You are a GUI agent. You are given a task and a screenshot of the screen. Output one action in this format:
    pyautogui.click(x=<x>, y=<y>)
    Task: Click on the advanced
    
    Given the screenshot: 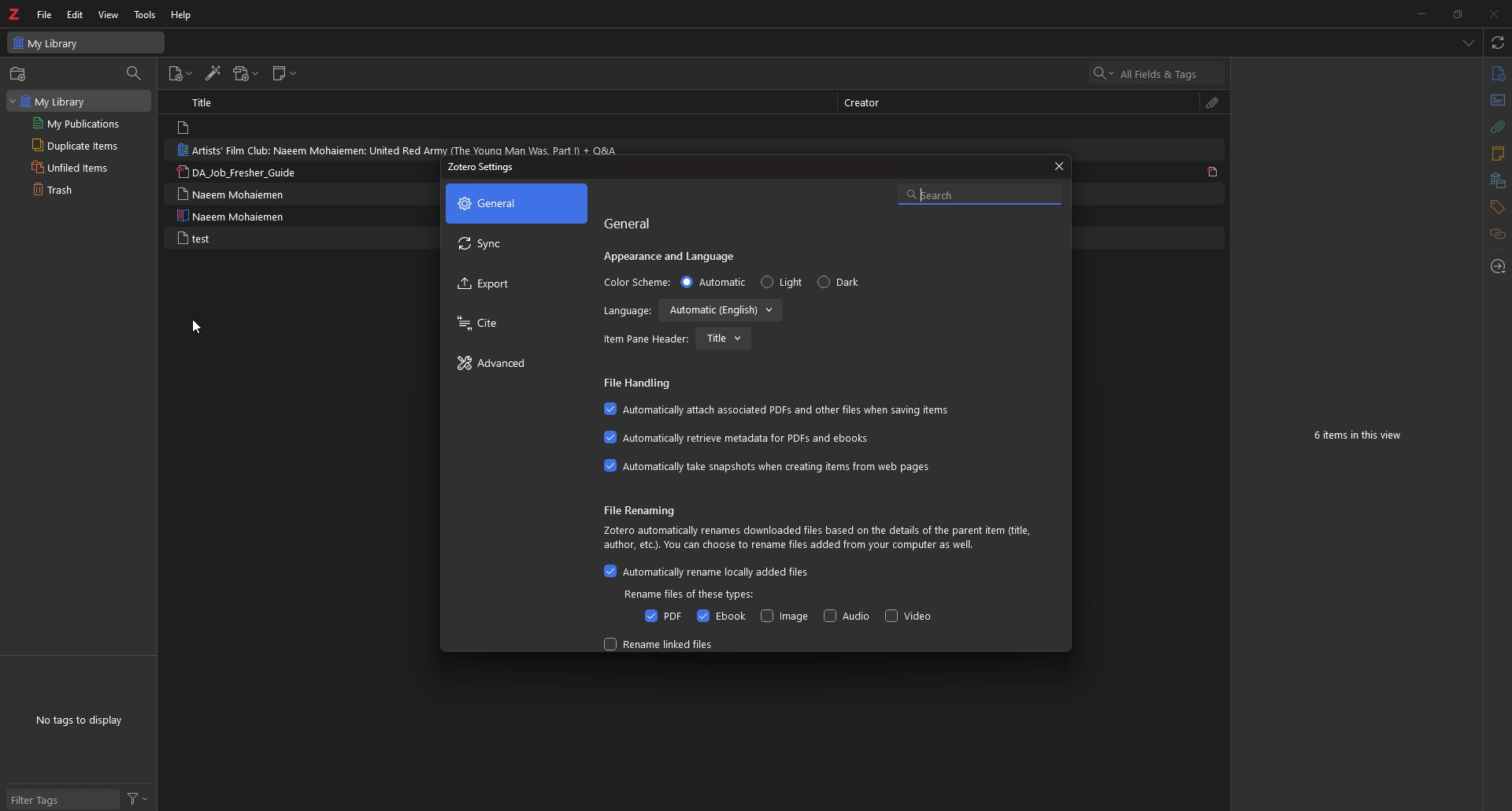 What is the action you would take?
    pyautogui.click(x=512, y=365)
    